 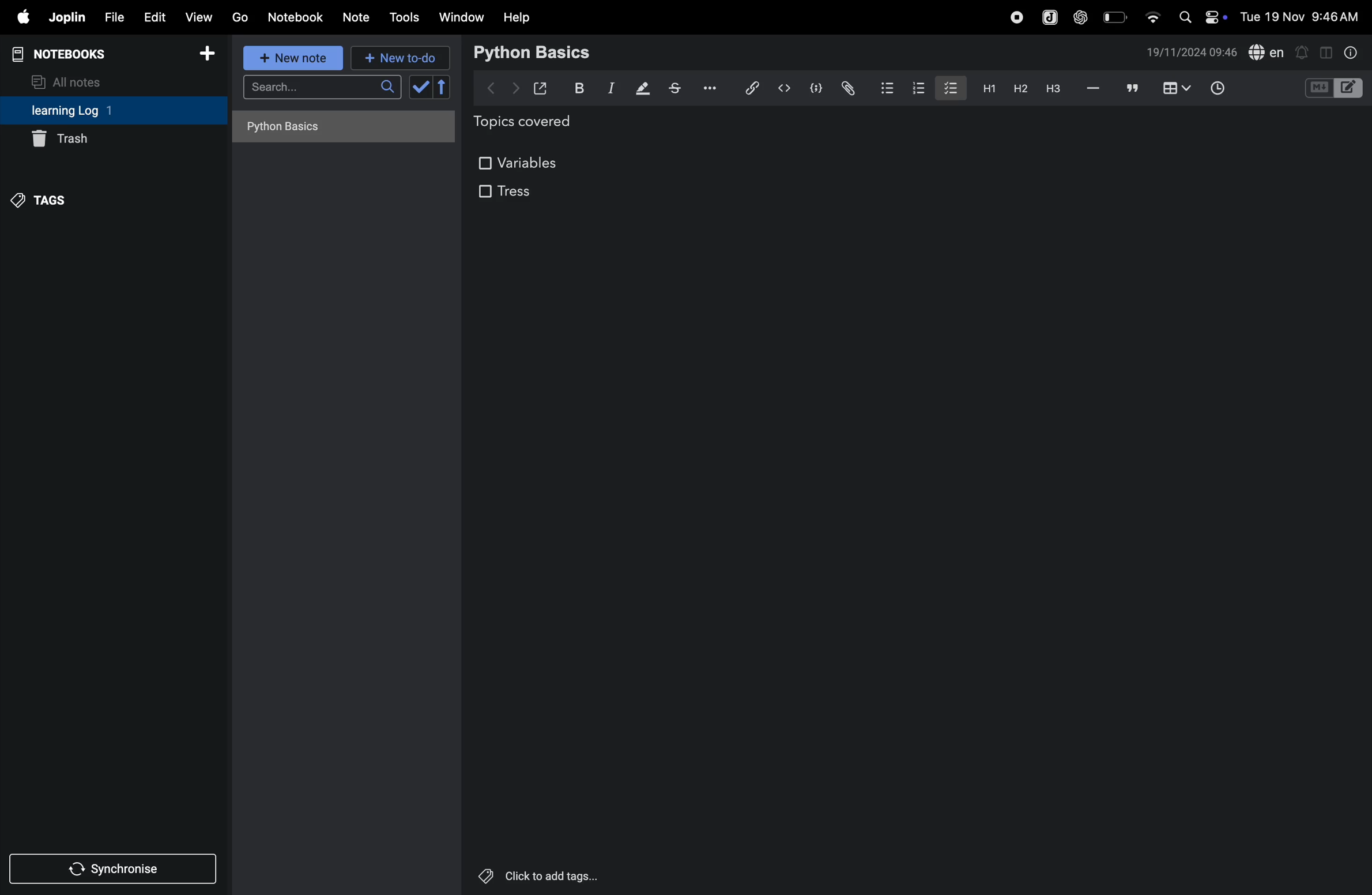 I want to click on spell check, so click(x=1267, y=53).